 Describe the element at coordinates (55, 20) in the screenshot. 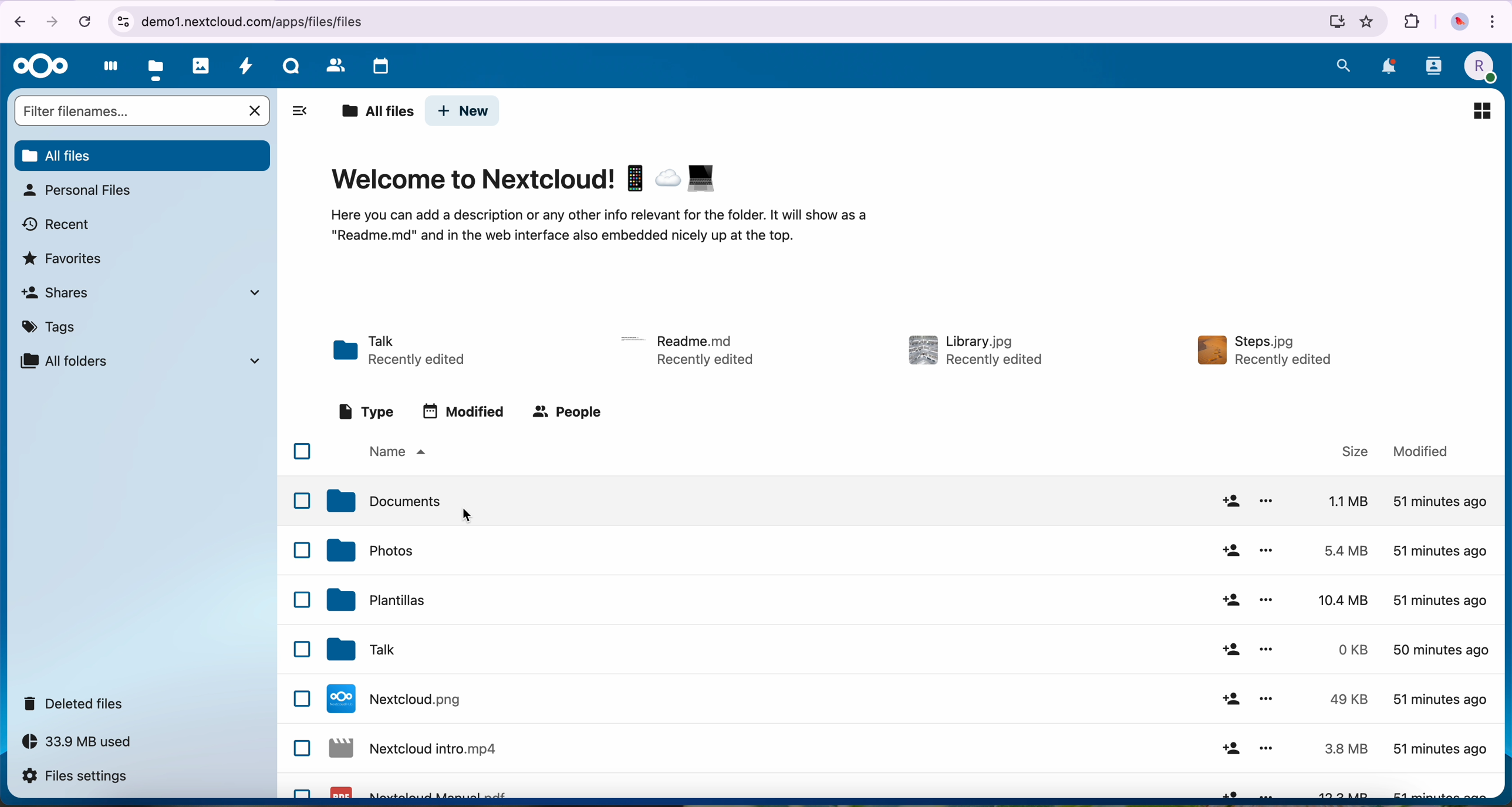

I see `navigate foward` at that location.